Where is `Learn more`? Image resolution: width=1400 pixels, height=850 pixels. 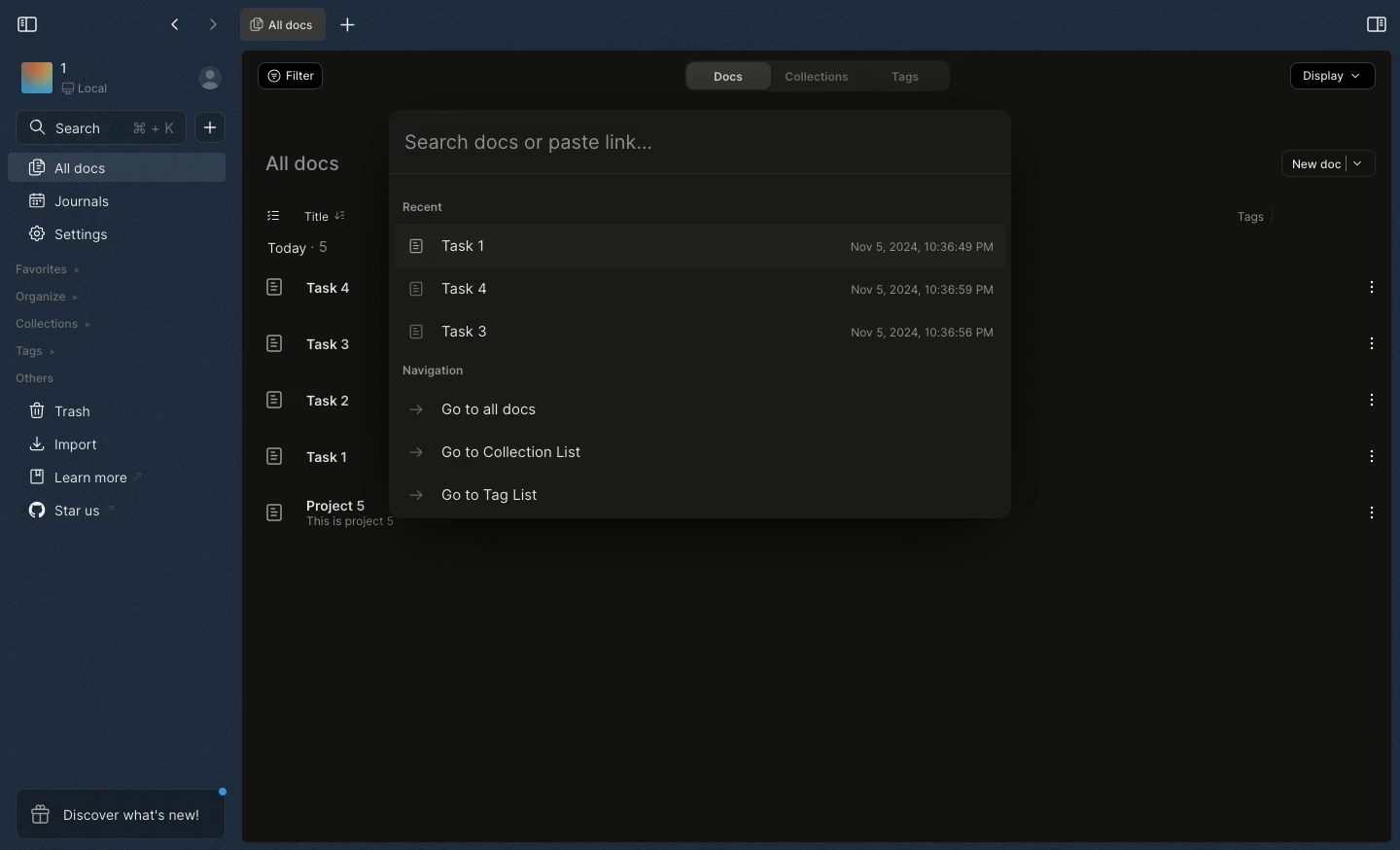
Learn more is located at coordinates (78, 475).